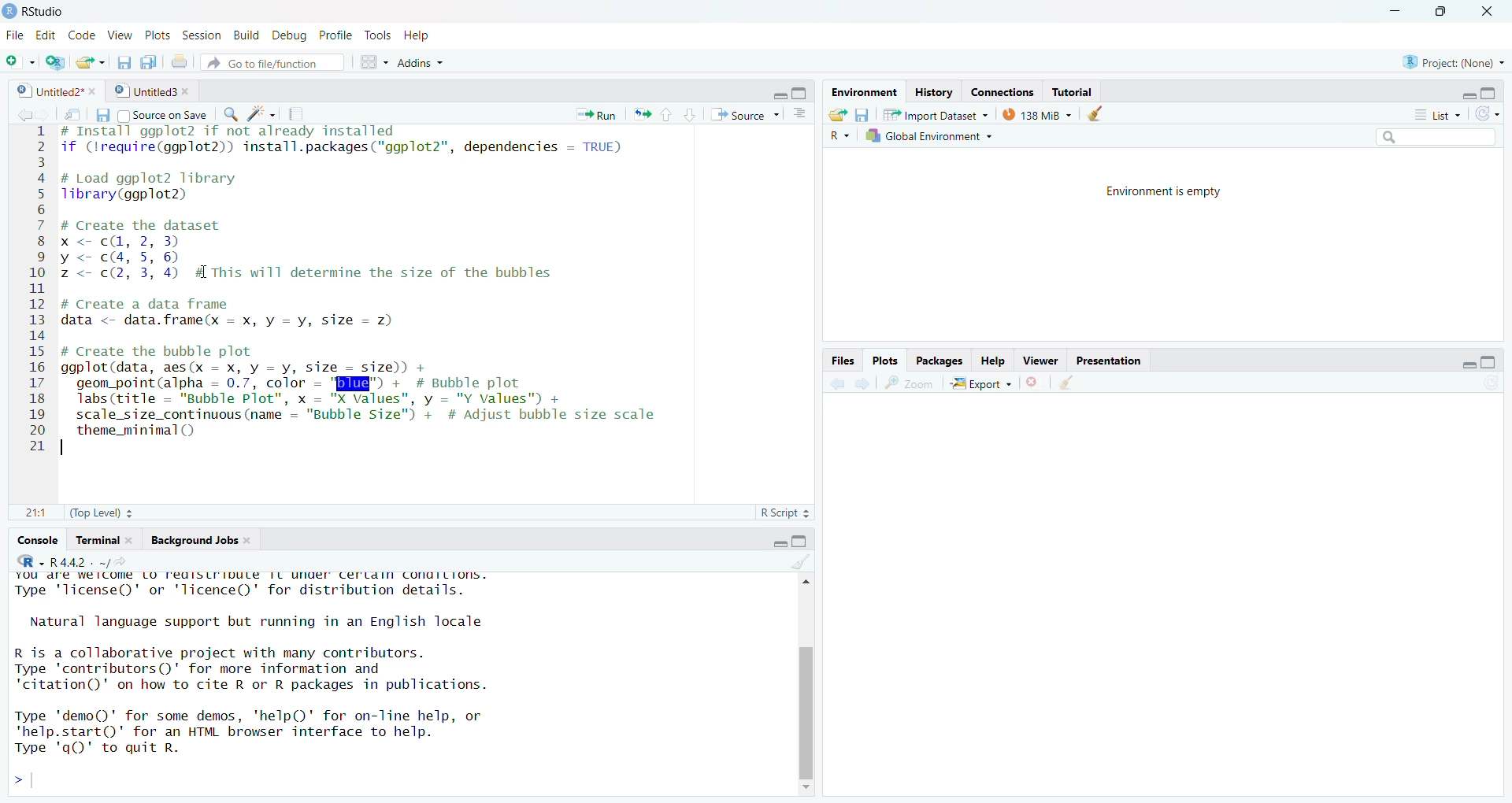  Describe the element at coordinates (272, 62) in the screenshot. I see `Go to file/function` at that location.